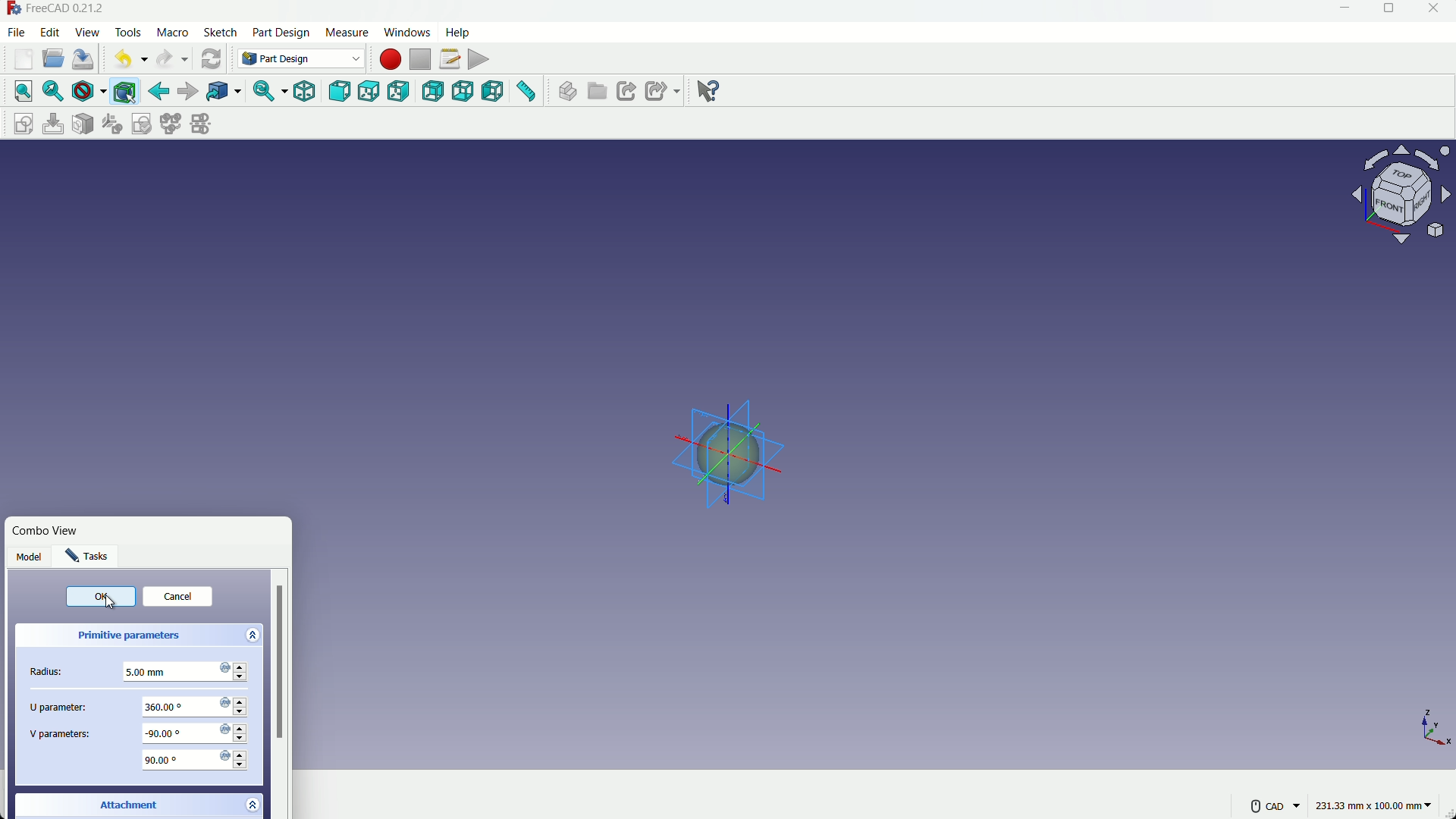  I want to click on undo, so click(123, 61).